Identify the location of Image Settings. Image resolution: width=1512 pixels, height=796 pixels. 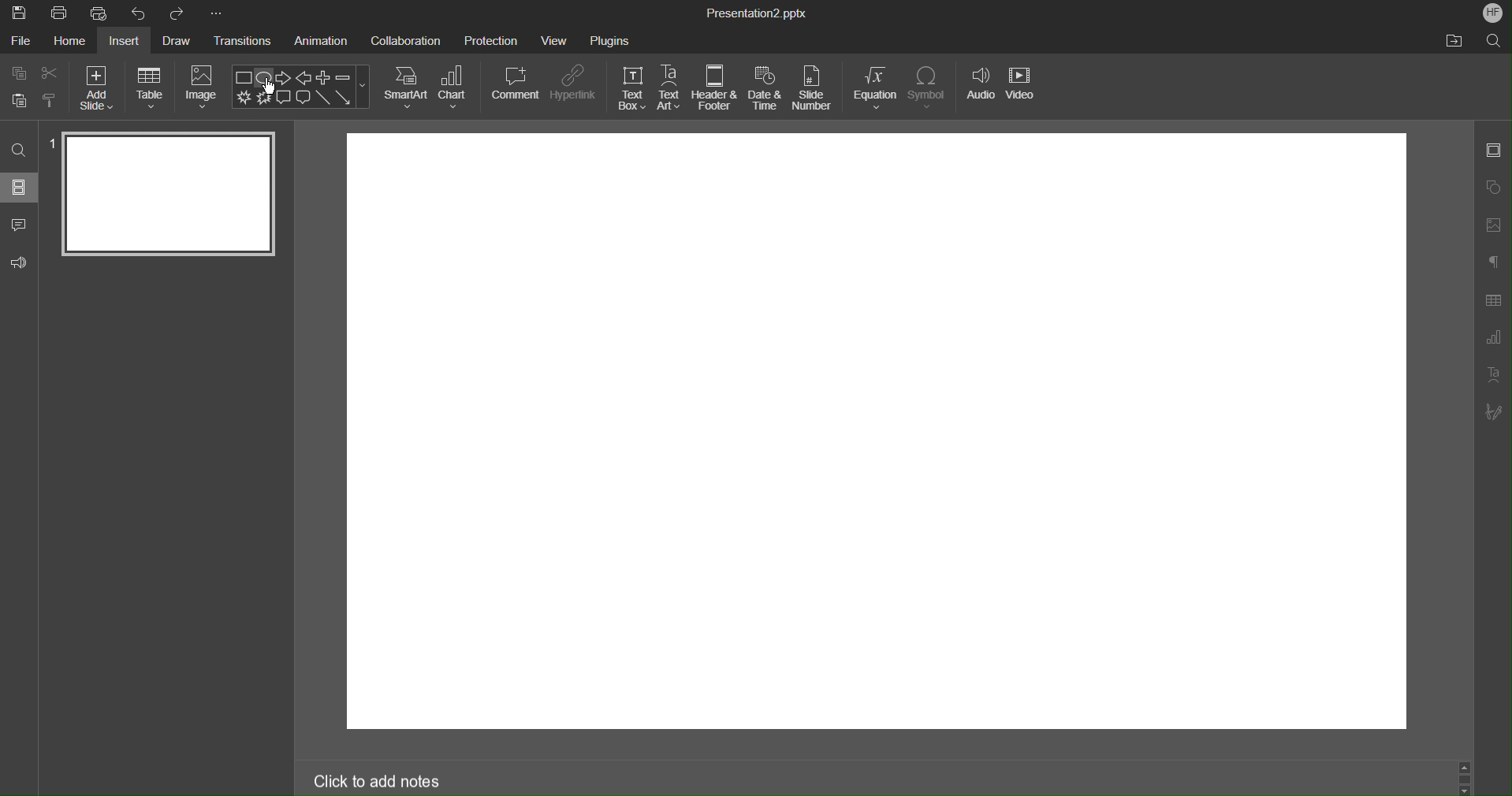
(1495, 223).